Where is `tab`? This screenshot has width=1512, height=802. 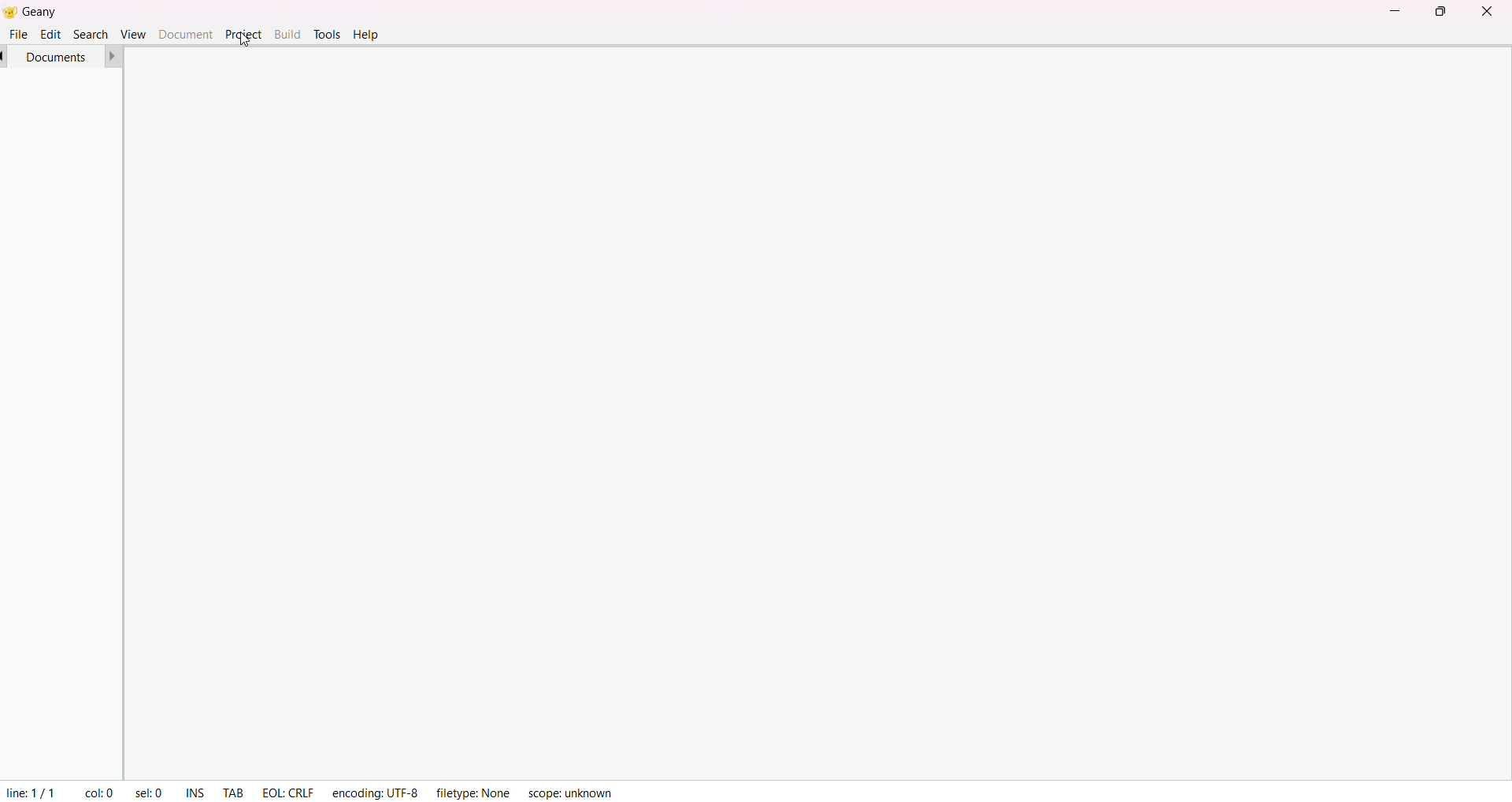 tab is located at coordinates (234, 794).